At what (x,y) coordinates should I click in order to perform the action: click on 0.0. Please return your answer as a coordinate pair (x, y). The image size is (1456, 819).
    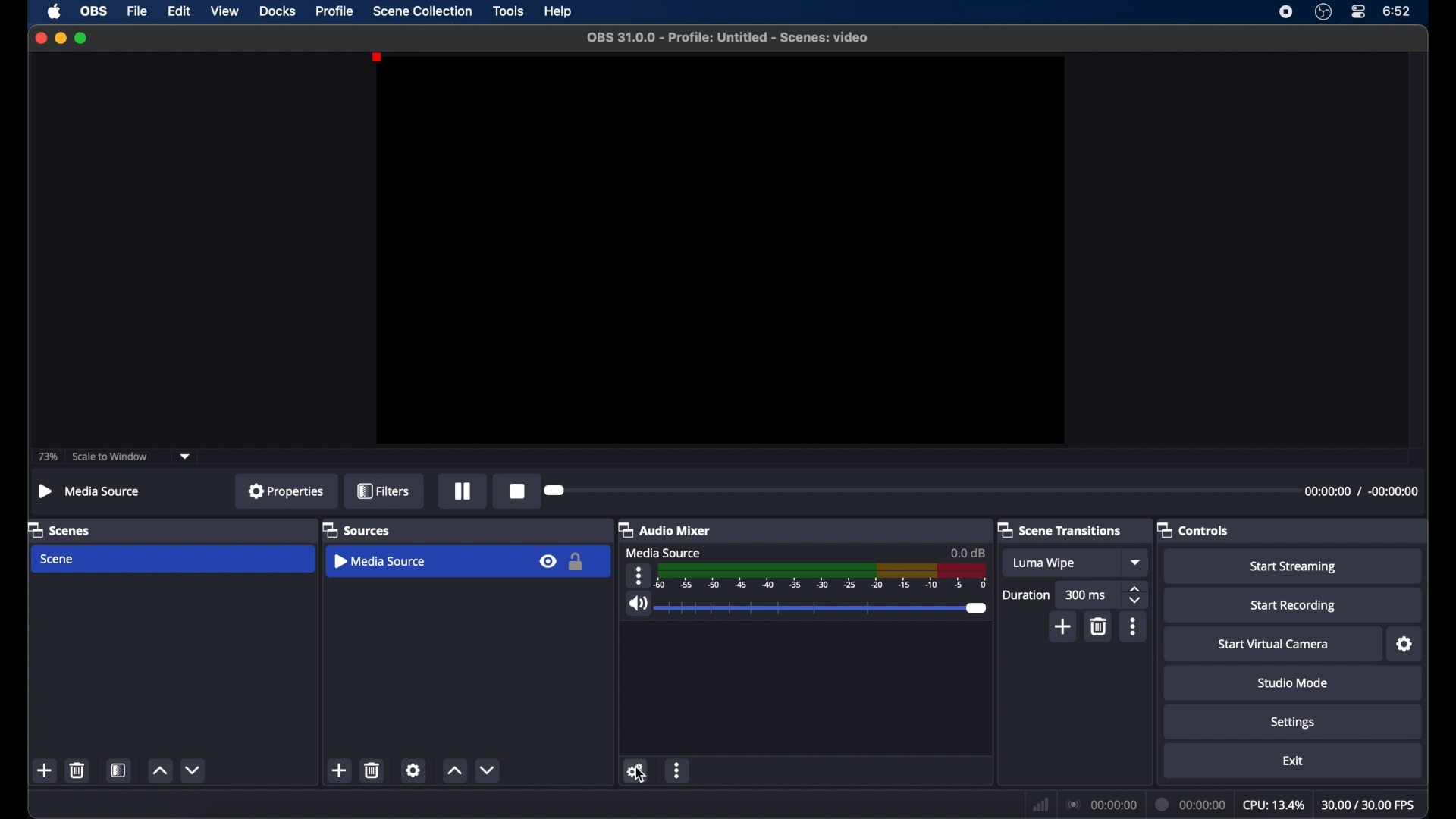
    Looking at the image, I should click on (968, 552).